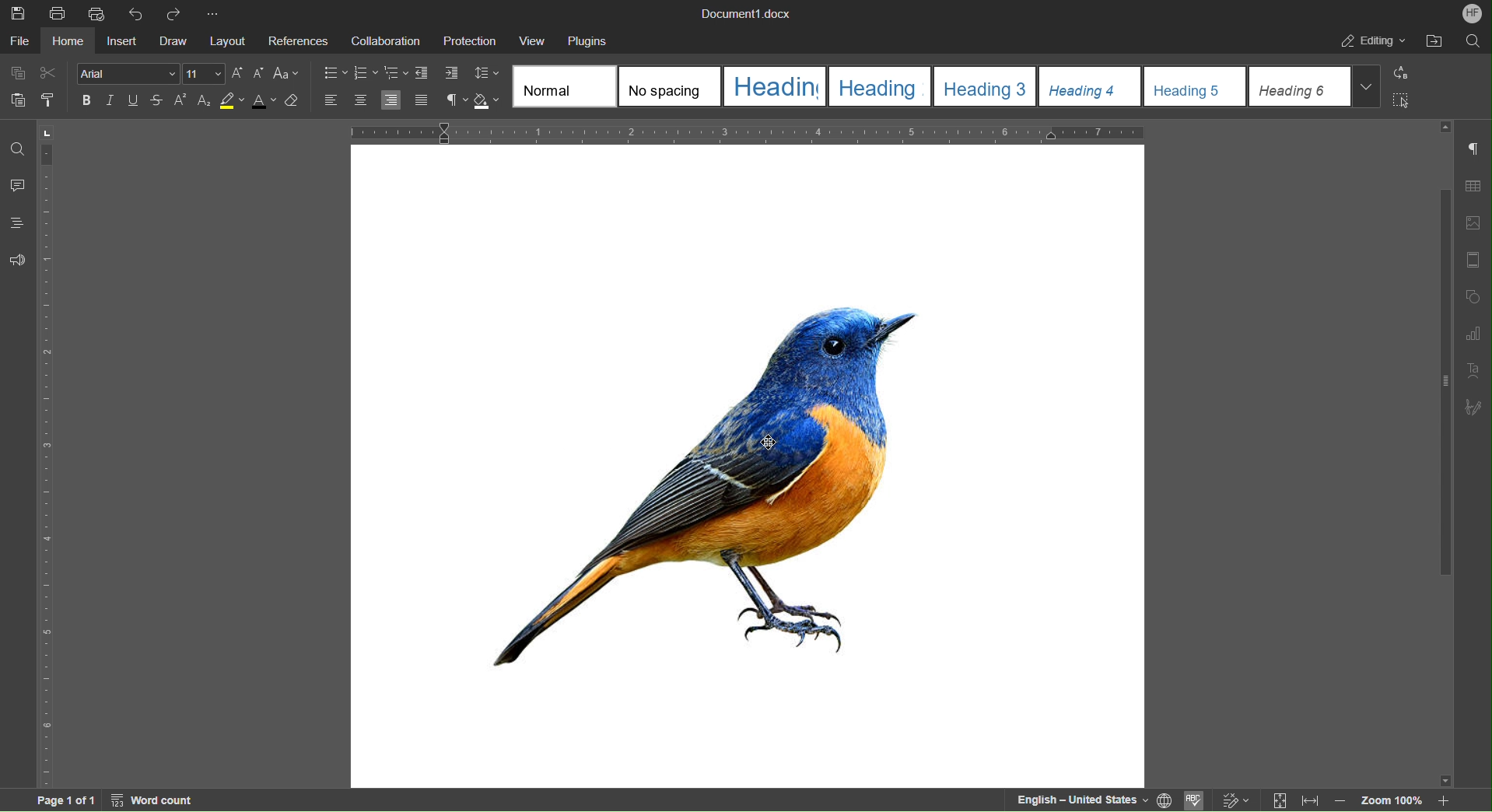 The width and height of the screenshot is (1492, 812). I want to click on Comments, so click(18, 186).